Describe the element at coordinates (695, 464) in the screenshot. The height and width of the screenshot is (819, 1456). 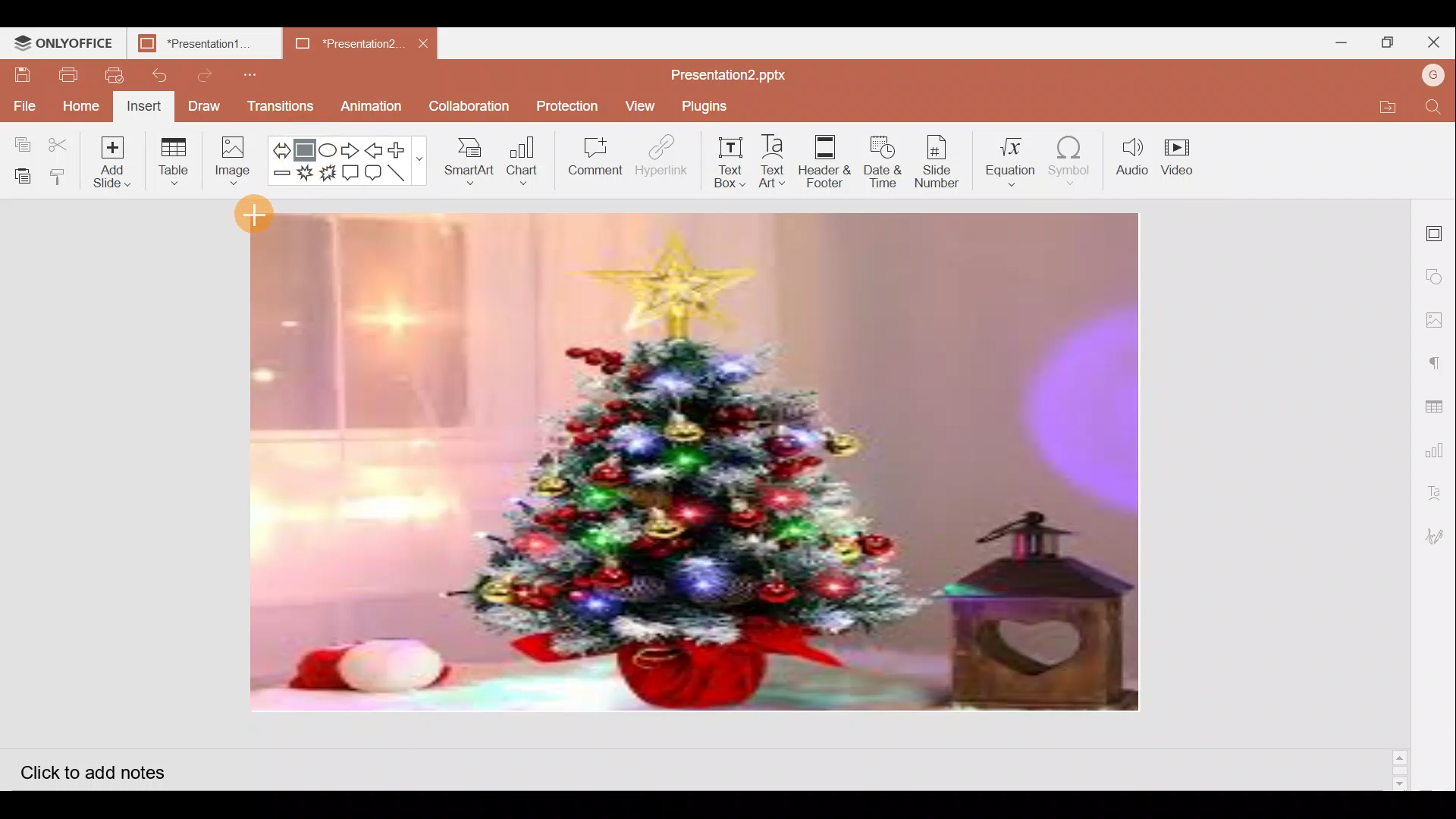
I see `Background image on presentation slide` at that location.